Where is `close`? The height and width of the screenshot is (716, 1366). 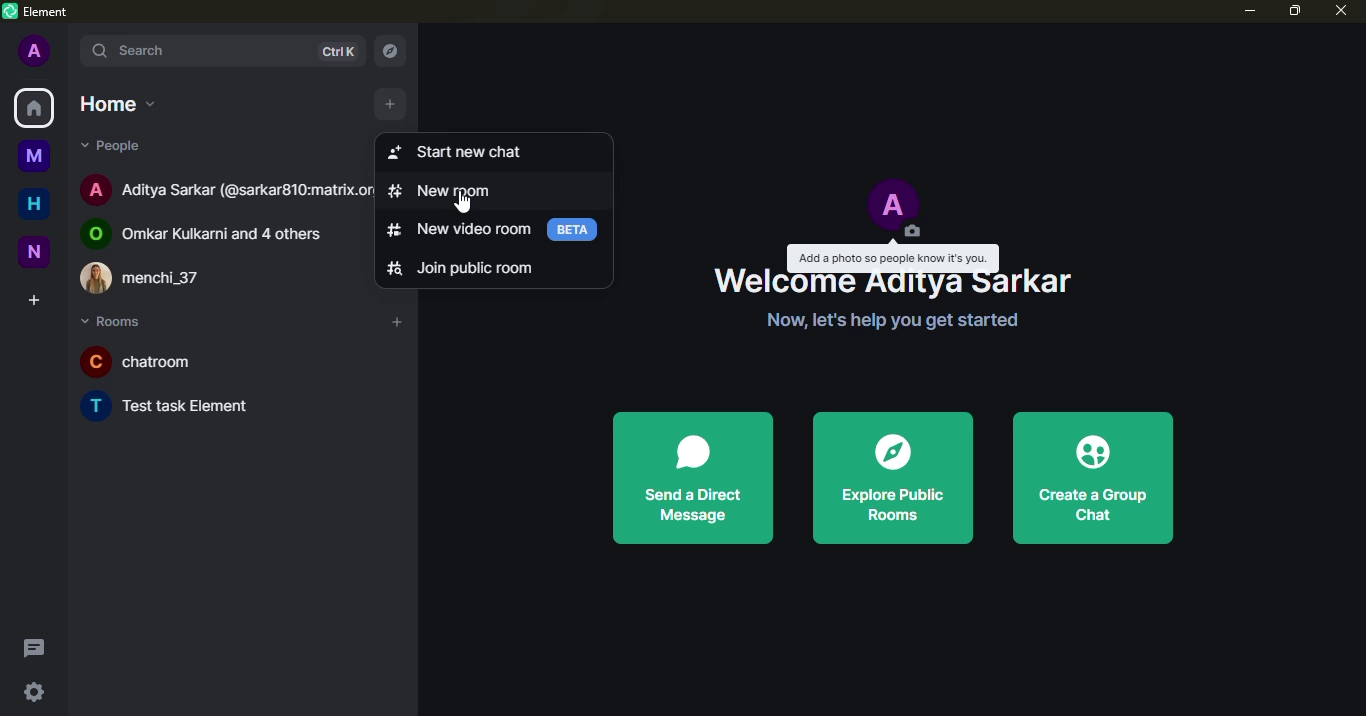
close is located at coordinates (1340, 13).